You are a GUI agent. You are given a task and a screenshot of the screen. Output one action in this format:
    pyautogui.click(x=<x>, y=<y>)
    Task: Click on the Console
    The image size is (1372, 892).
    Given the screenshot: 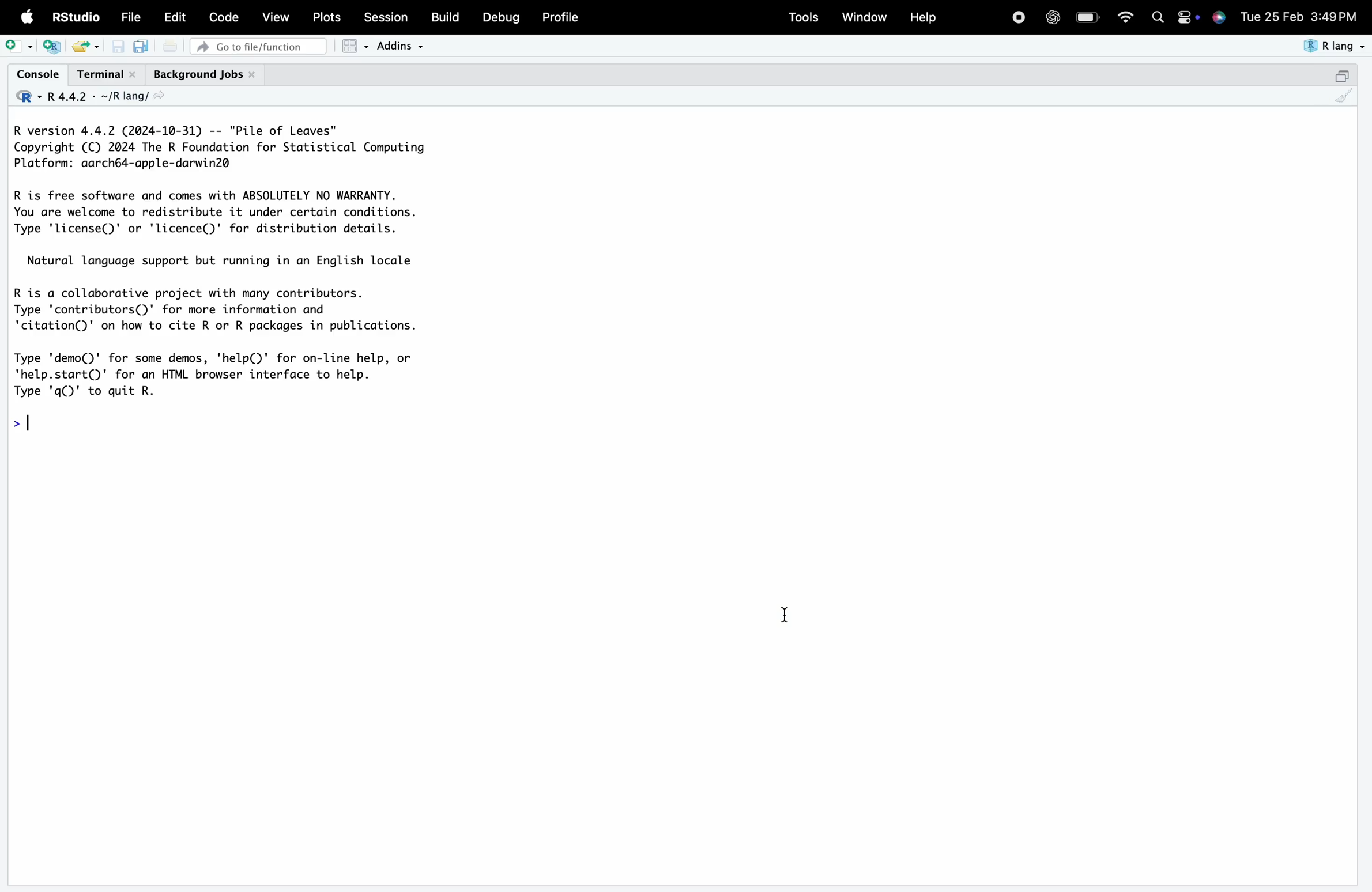 What is the action you would take?
    pyautogui.click(x=37, y=74)
    